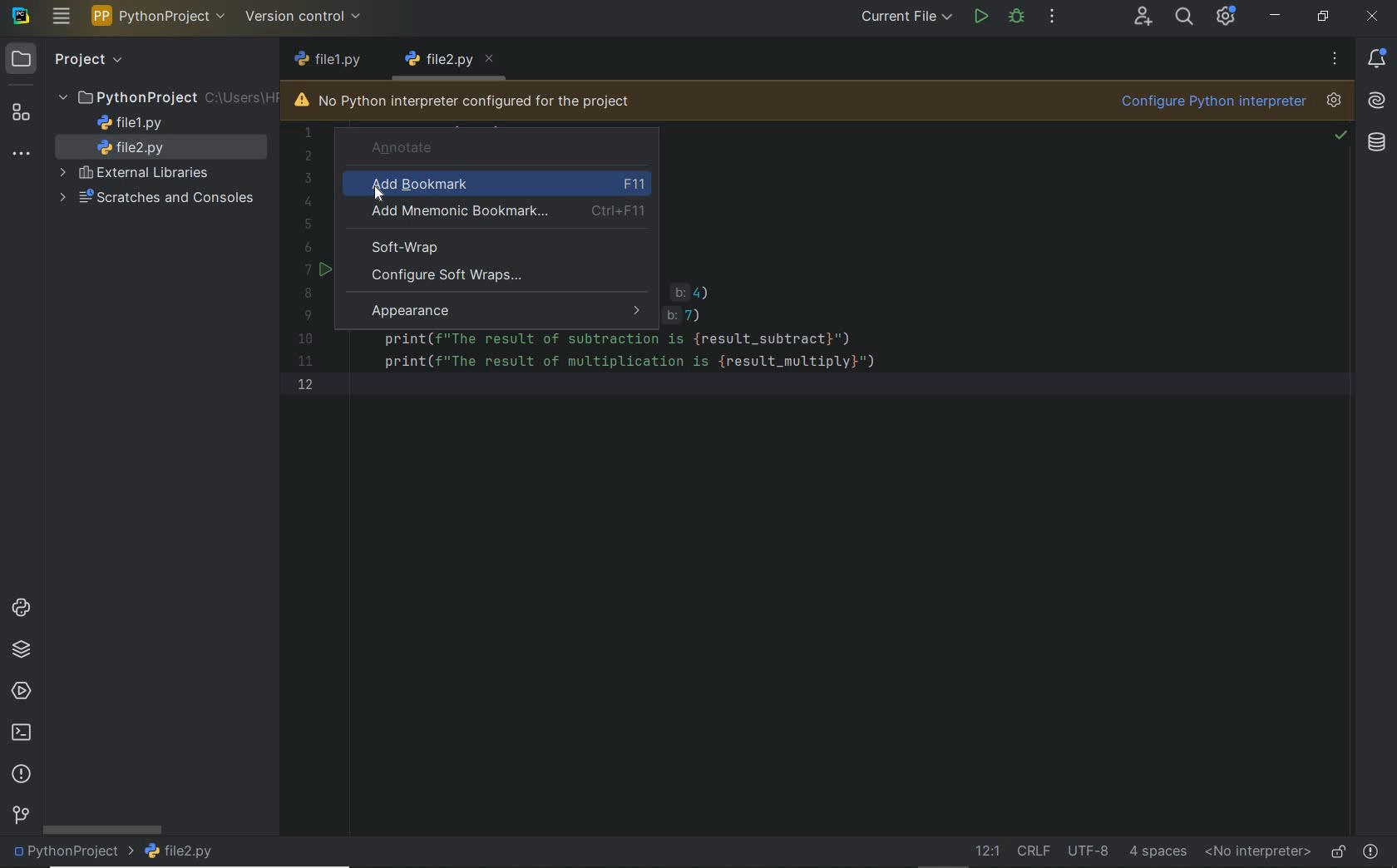  What do you see at coordinates (1052, 16) in the screenshot?
I see `more actions` at bounding box center [1052, 16].